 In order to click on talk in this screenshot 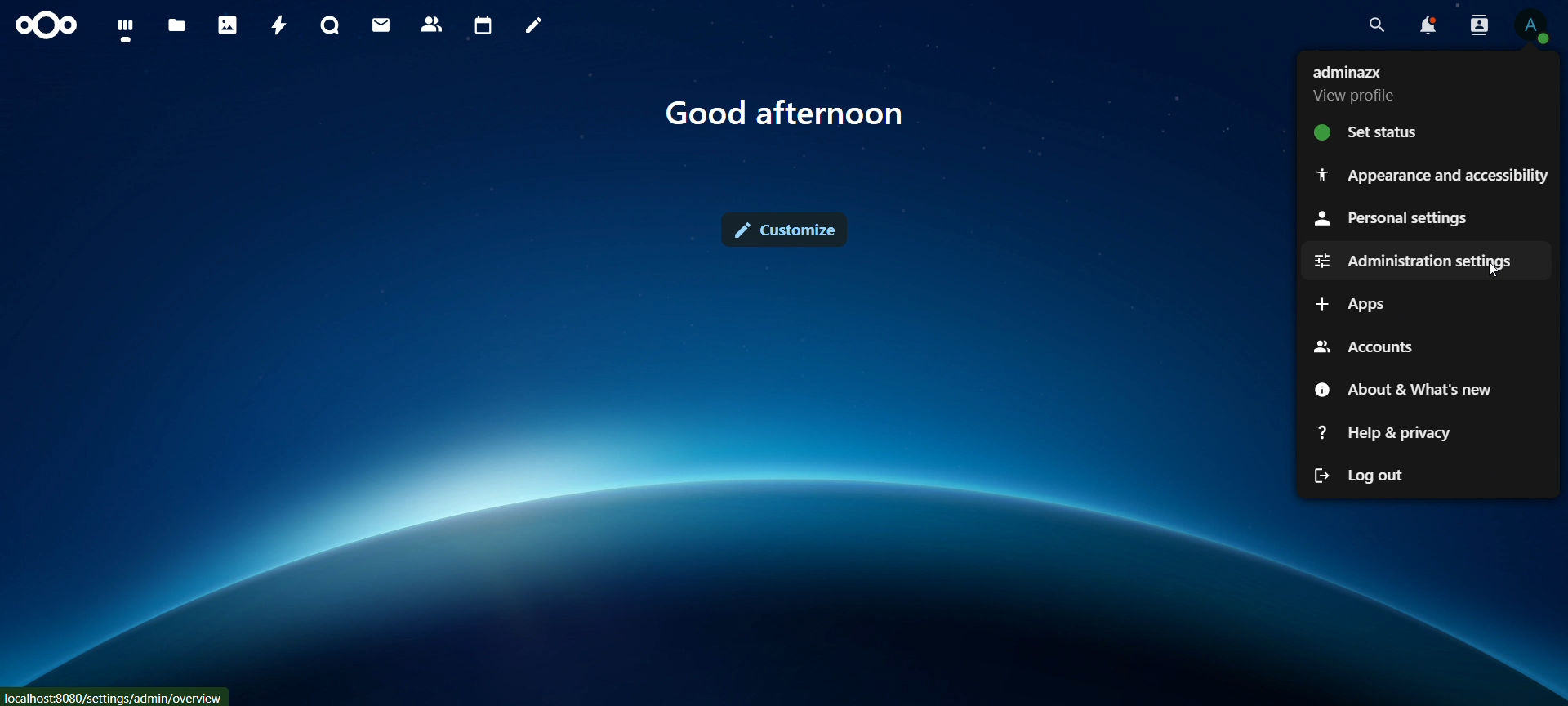, I will do `click(332, 26)`.